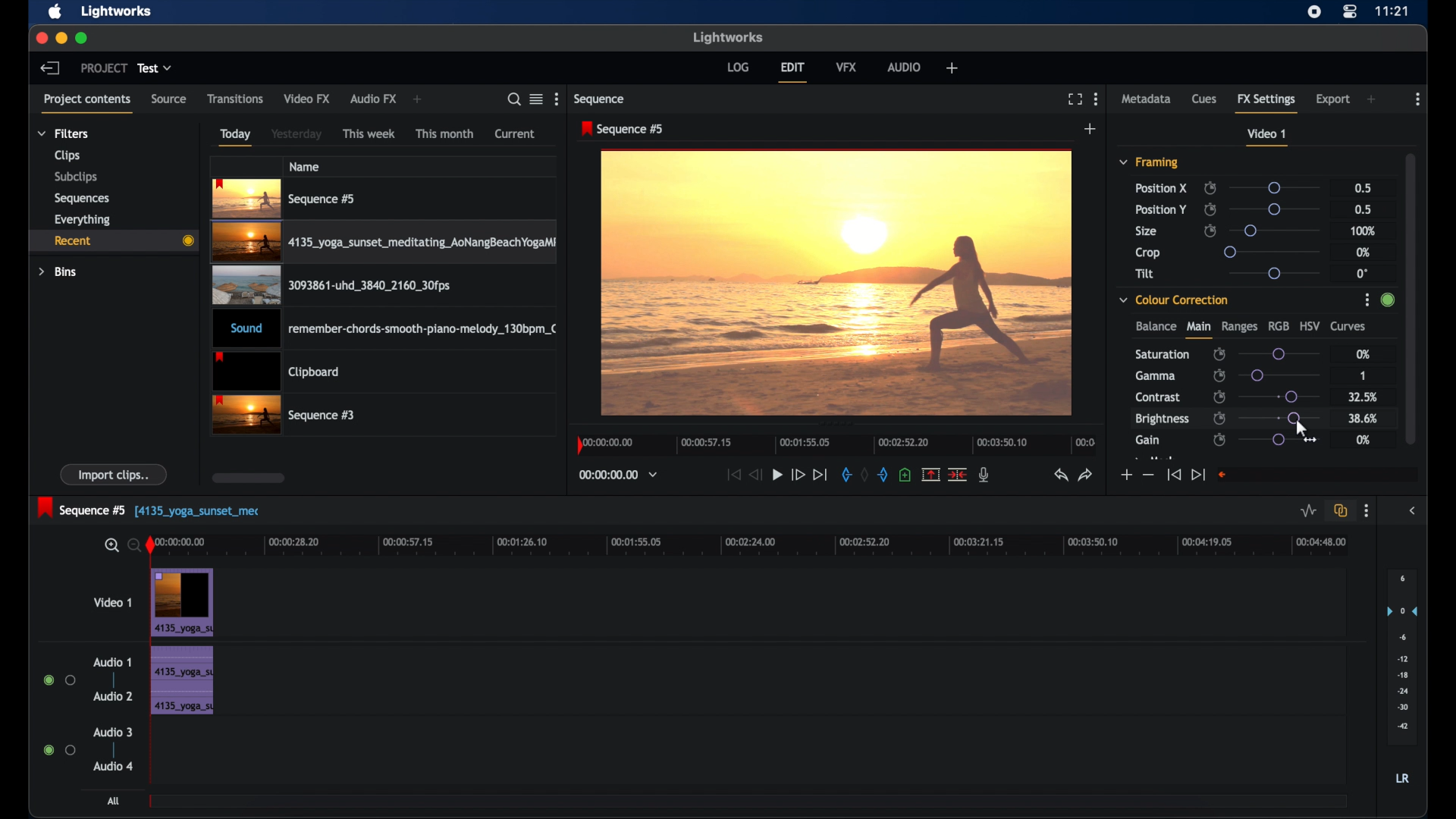  I want to click on scrollbar, so click(1413, 297).